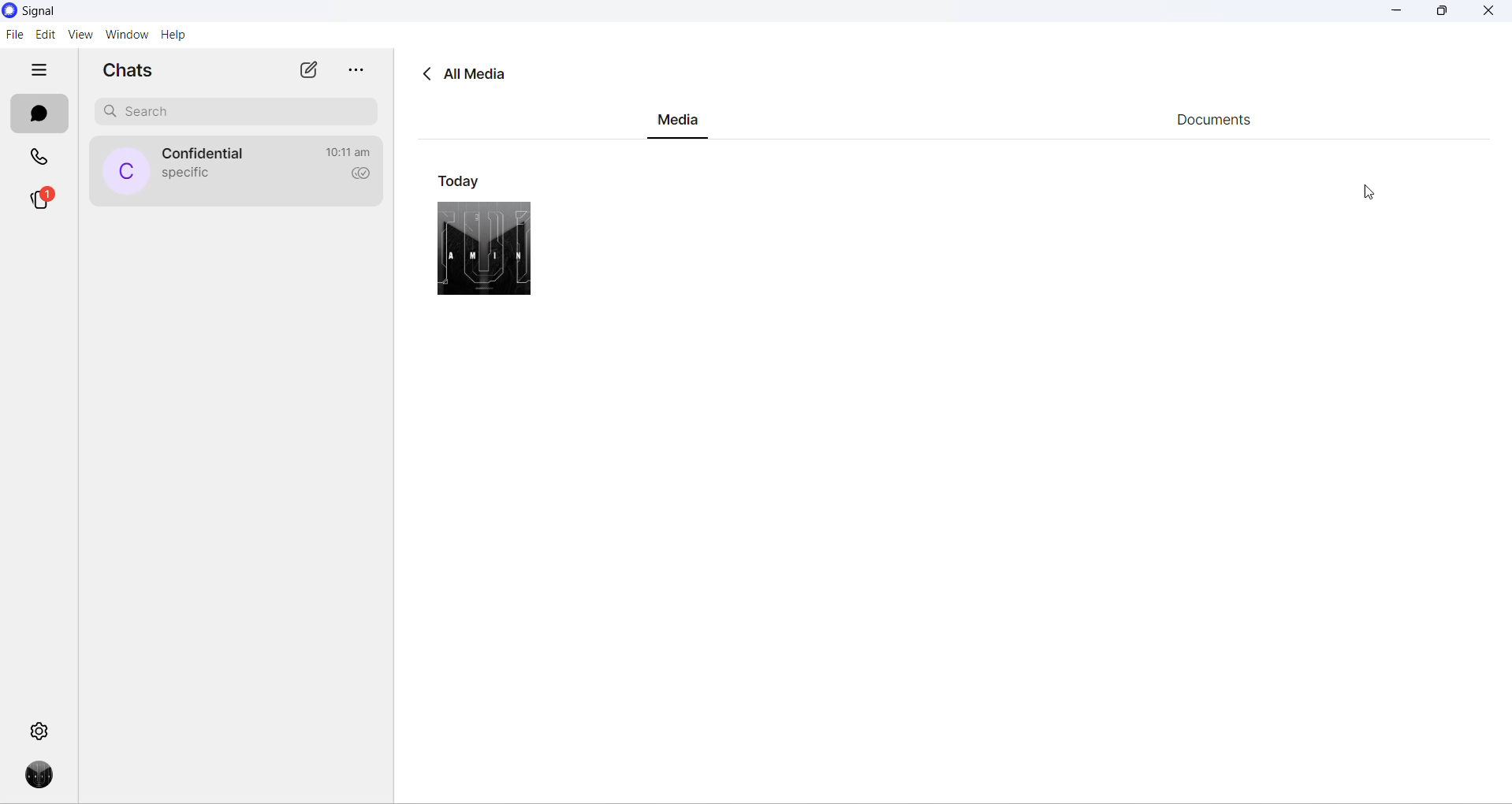 This screenshot has width=1512, height=804. What do you see at coordinates (39, 115) in the screenshot?
I see `chats` at bounding box center [39, 115].